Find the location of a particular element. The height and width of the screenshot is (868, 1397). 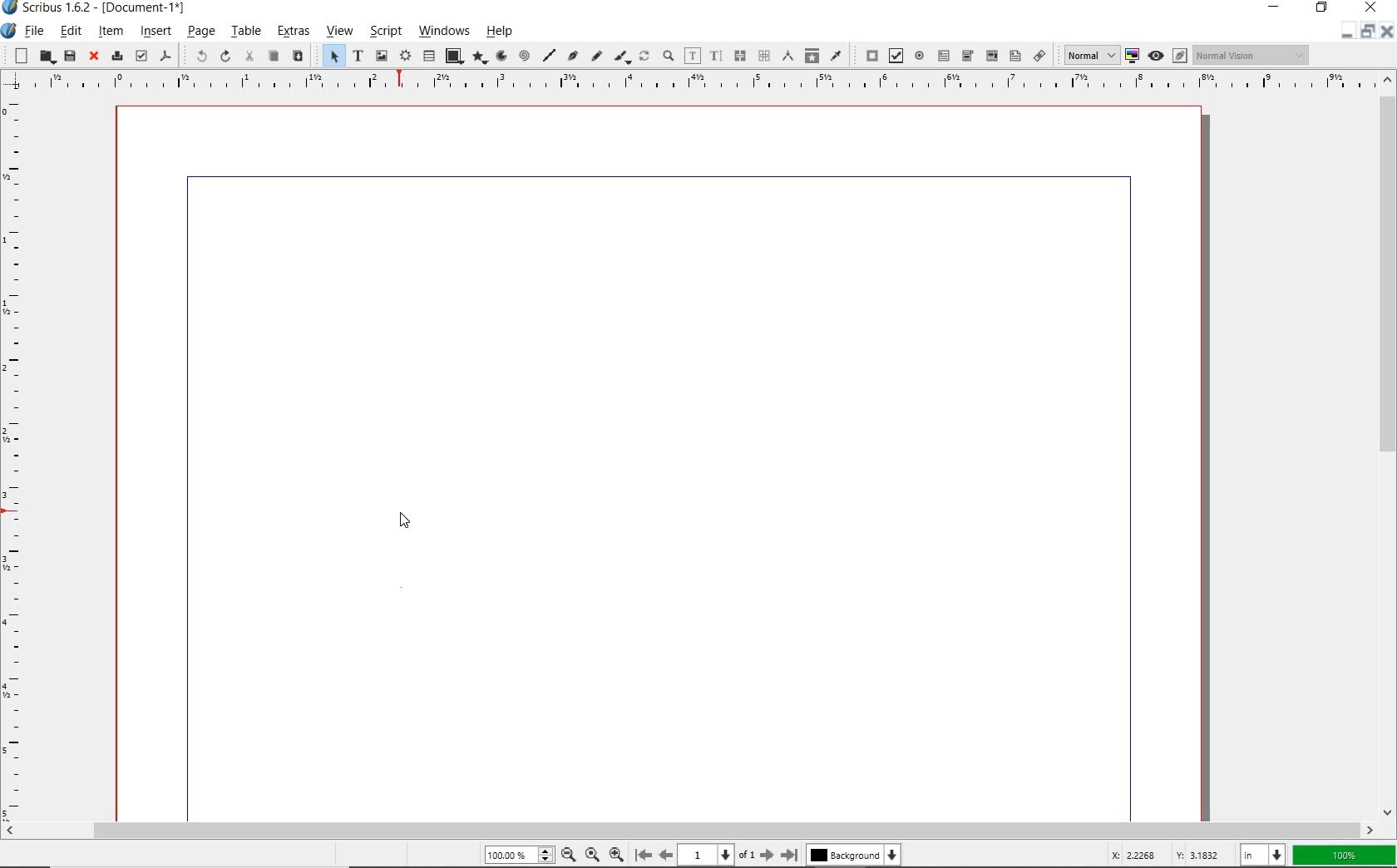

Last page is located at coordinates (787, 855).